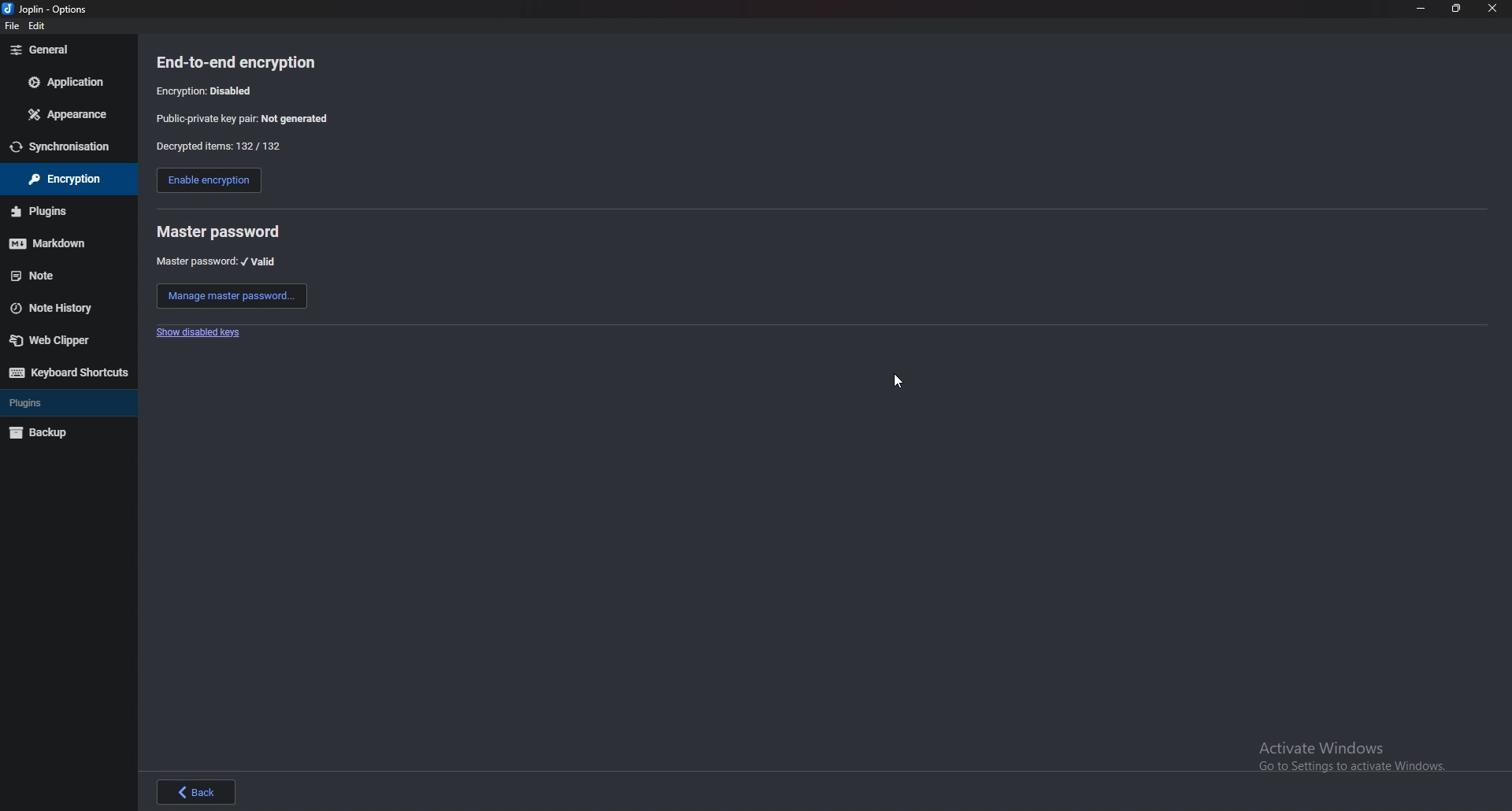  I want to click on note history, so click(64, 307).